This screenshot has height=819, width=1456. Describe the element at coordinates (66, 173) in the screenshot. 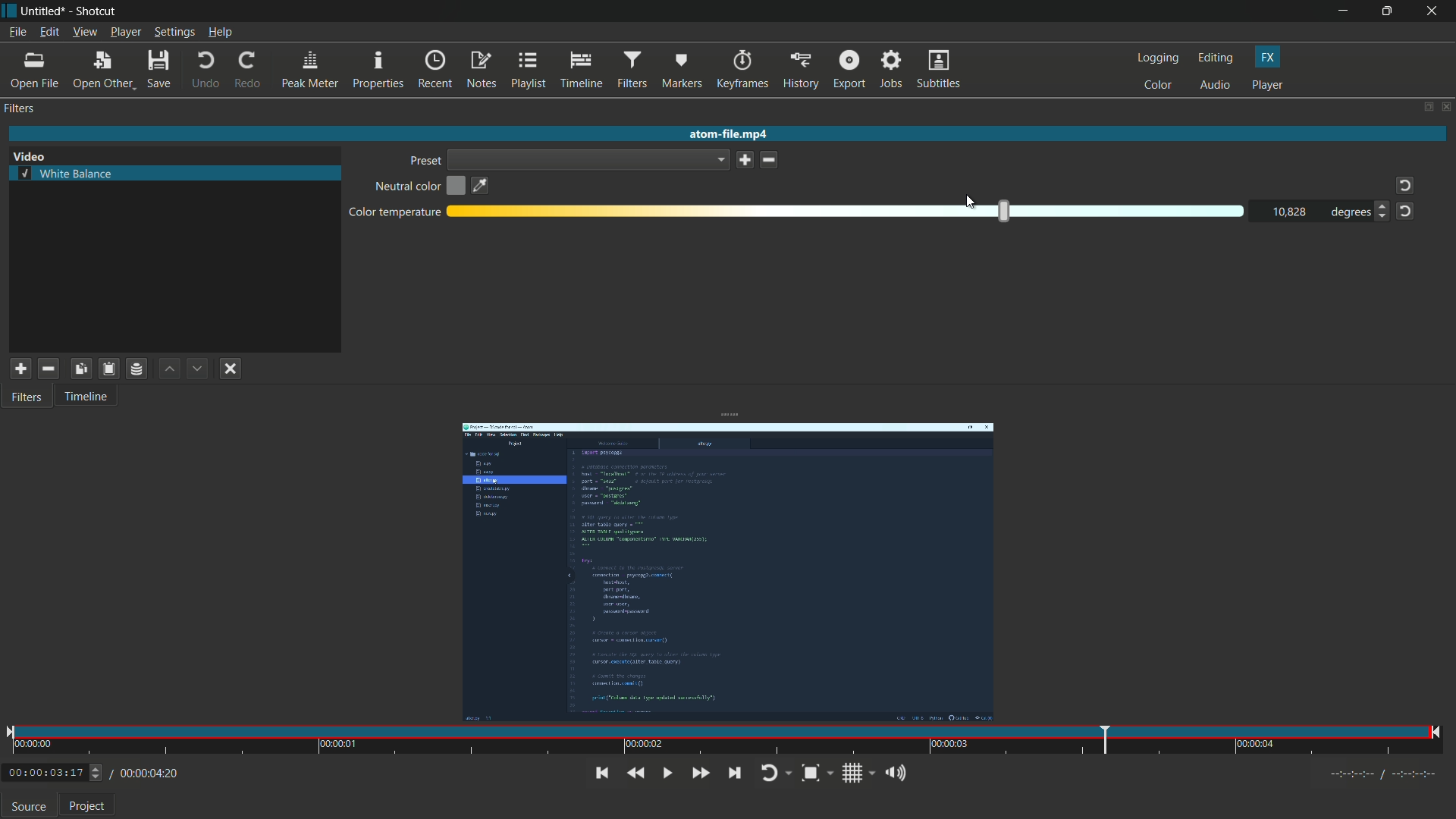

I see `white balance filter selected` at that location.